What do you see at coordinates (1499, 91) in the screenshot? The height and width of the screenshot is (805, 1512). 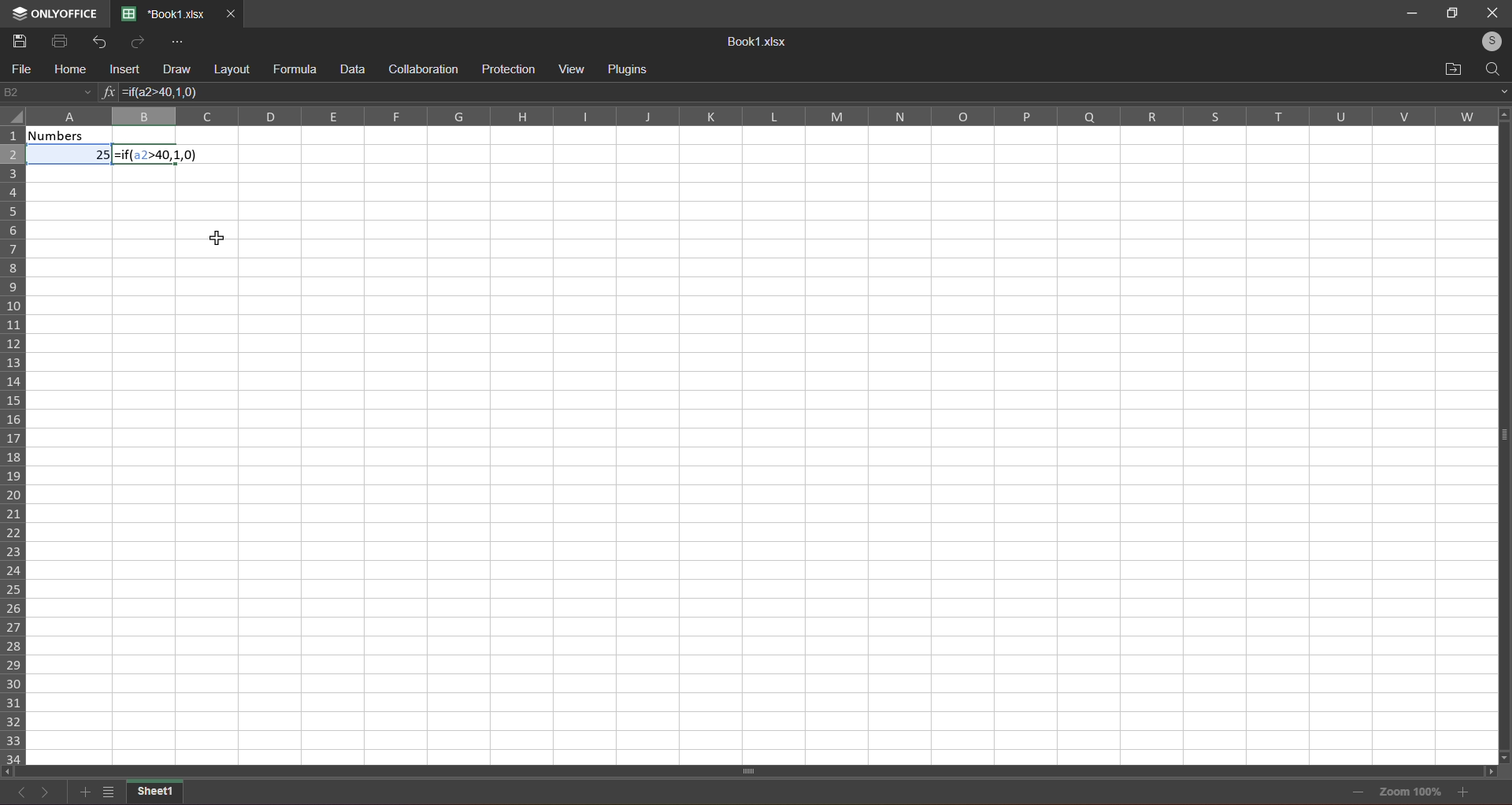 I see `expand` at bounding box center [1499, 91].